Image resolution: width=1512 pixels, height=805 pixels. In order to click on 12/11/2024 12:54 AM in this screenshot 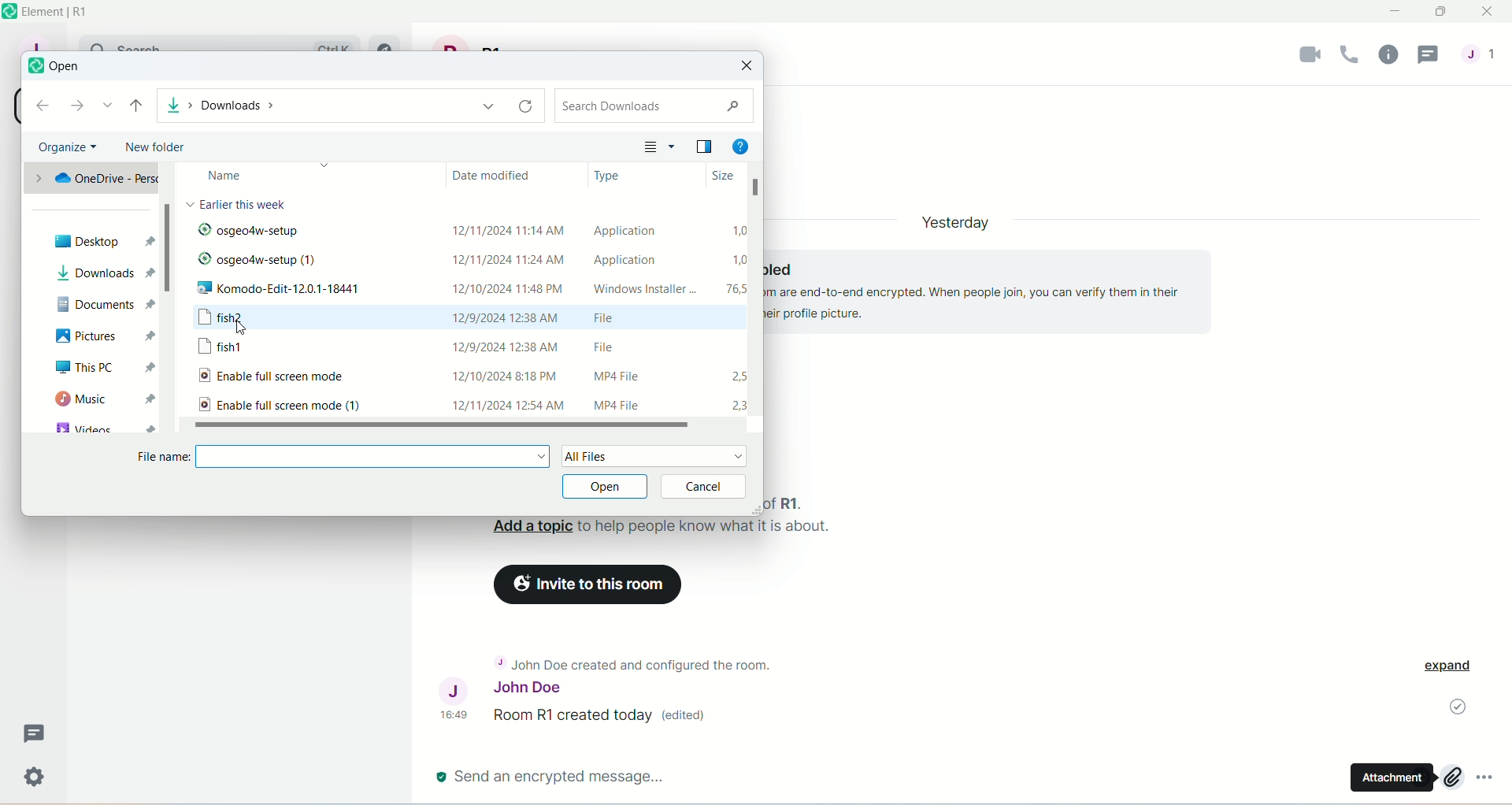, I will do `click(506, 403)`.